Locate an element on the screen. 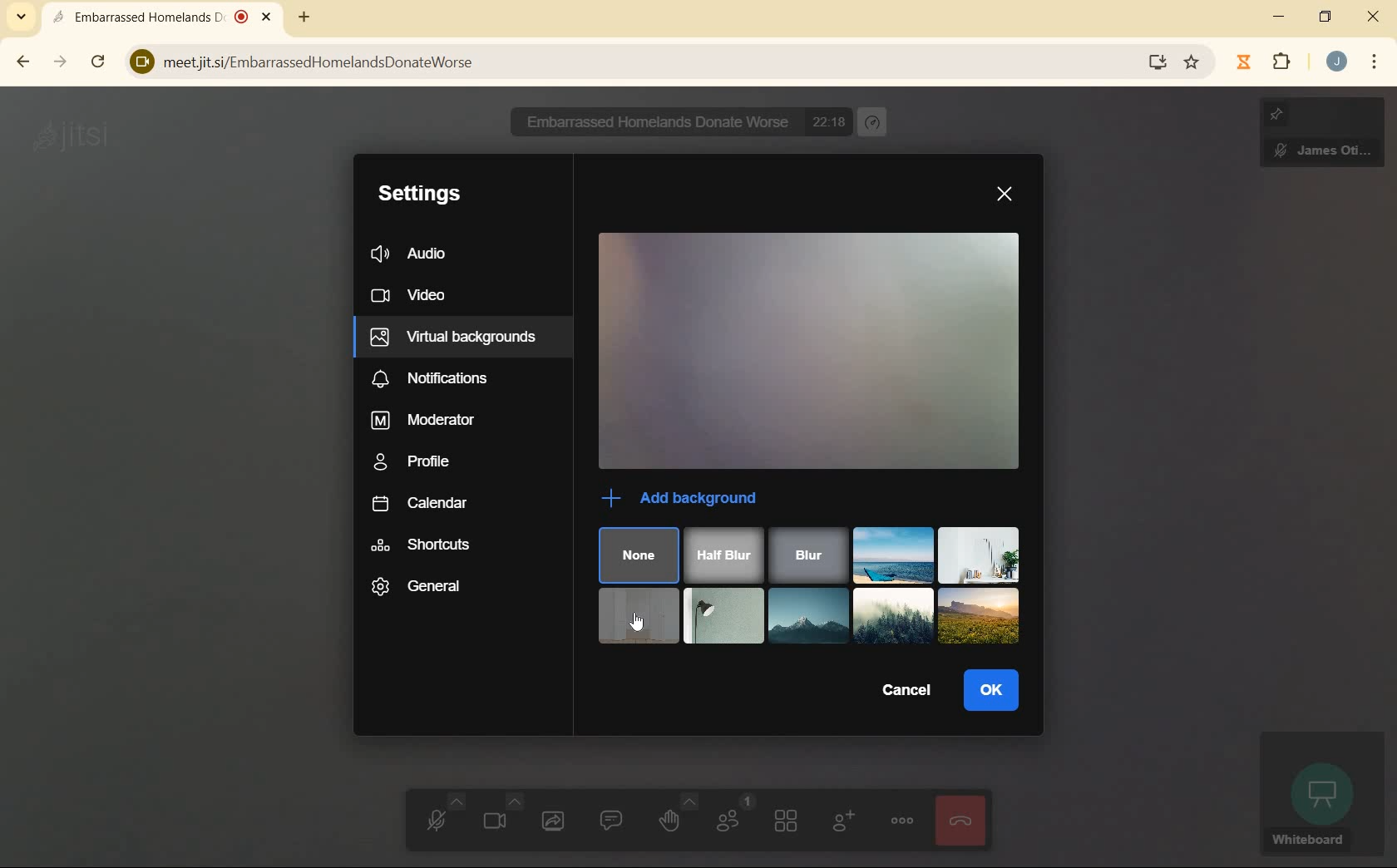  shortcuts is located at coordinates (423, 545).